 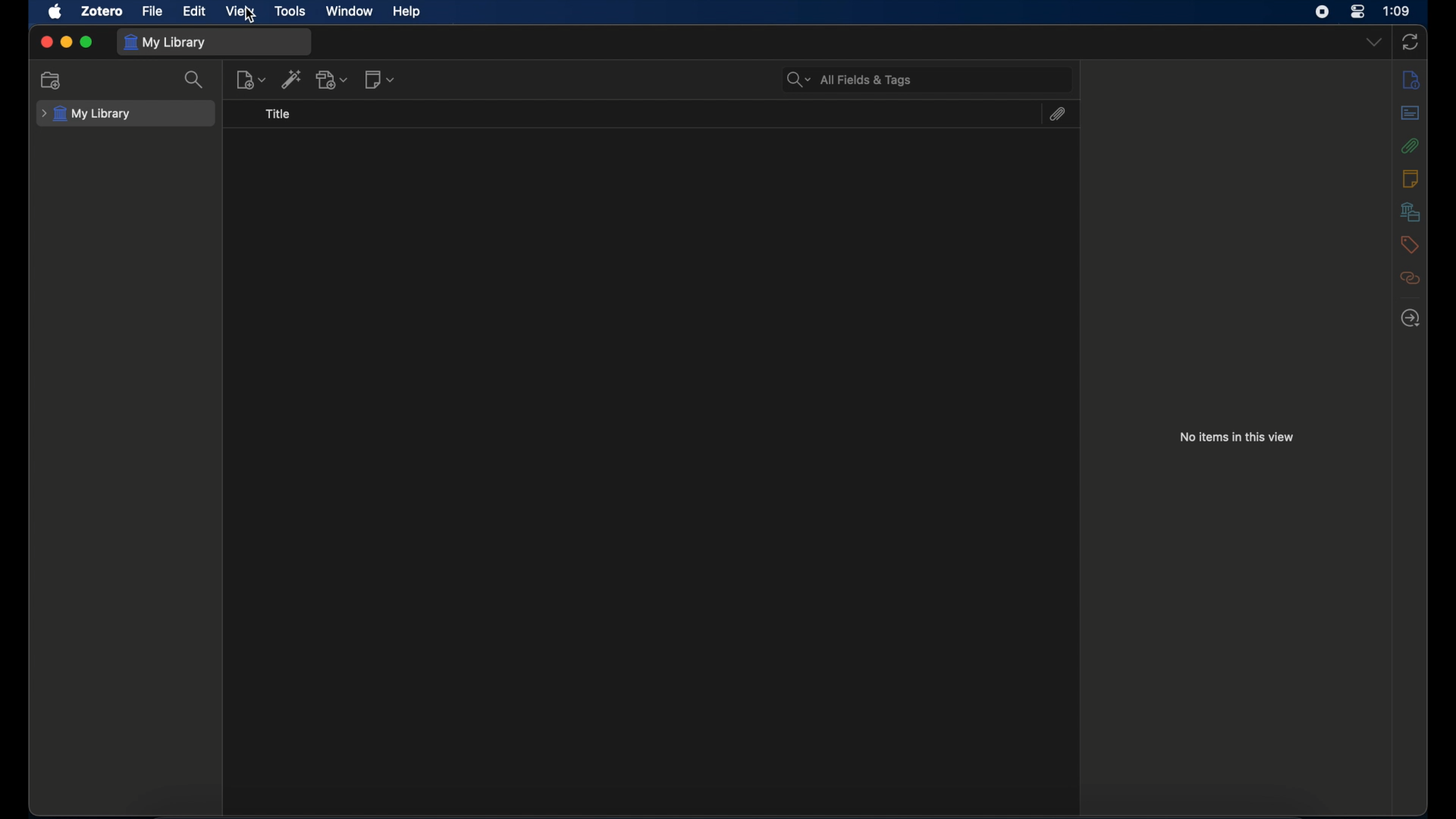 What do you see at coordinates (278, 115) in the screenshot?
I see `title` at bounding box center [278, 115].